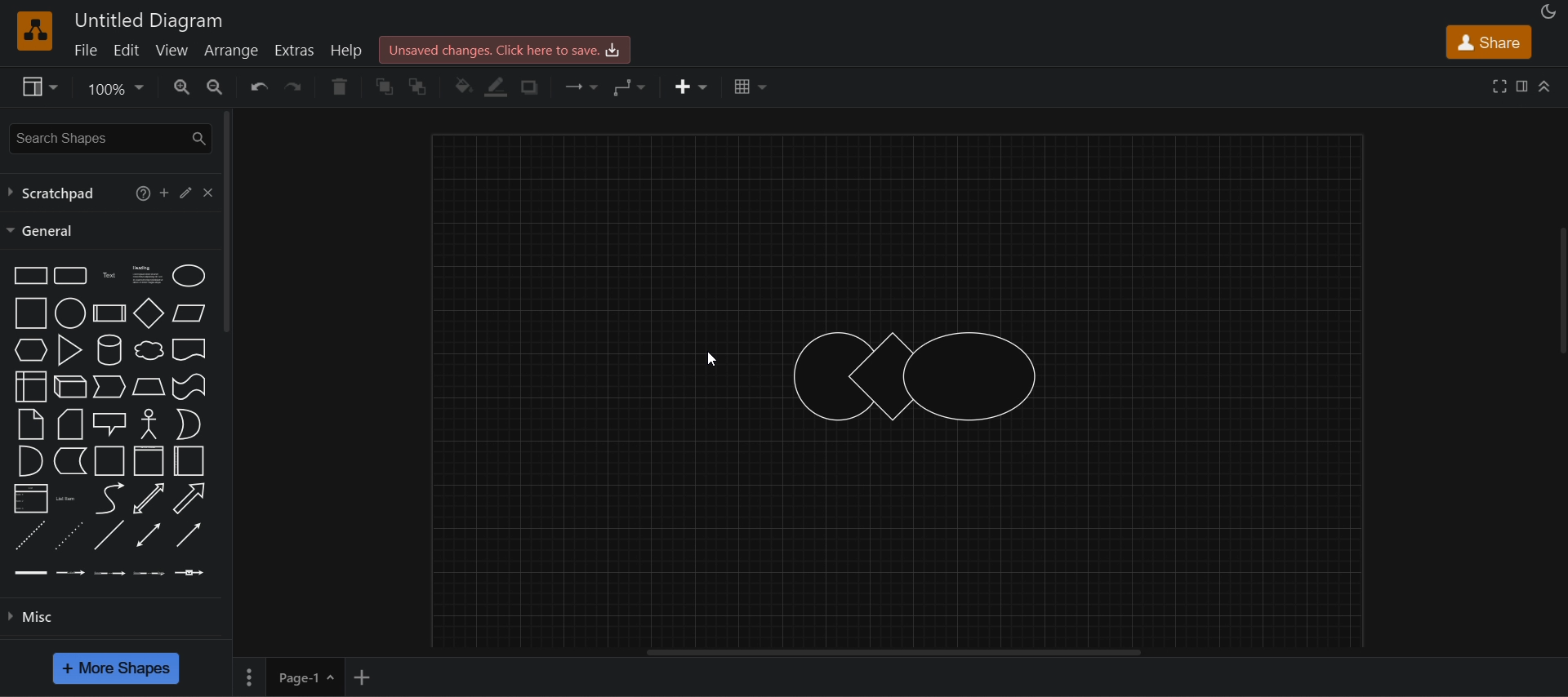 Image resolution: width=1568 pixels, height=697 pixels. What do you see at coordinates (1548, 12) in the screenshot?
I see `apprarance` at bounding box center [1548, 12].